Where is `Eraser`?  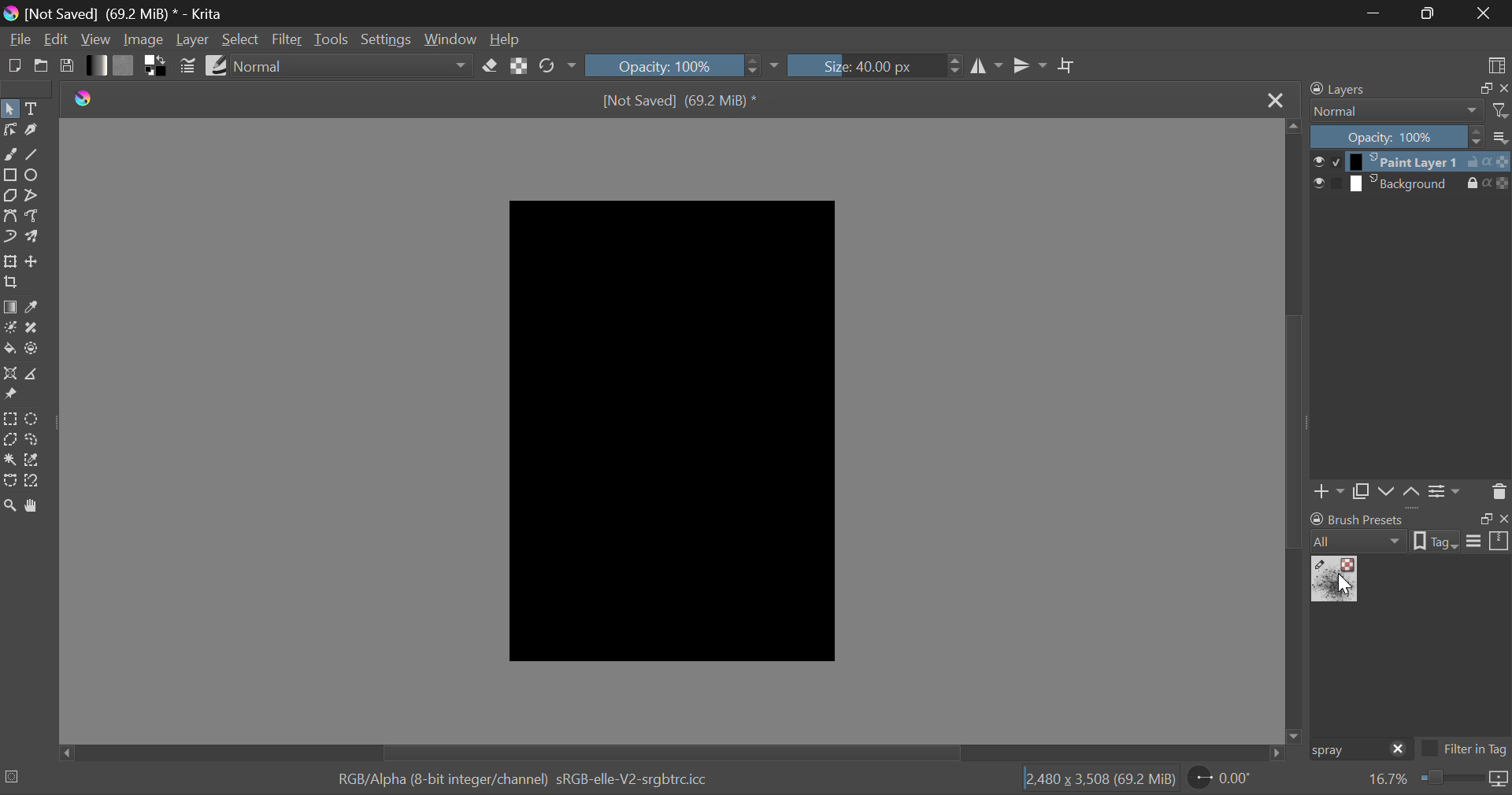
Eraser is located at coordinates (490, 66).